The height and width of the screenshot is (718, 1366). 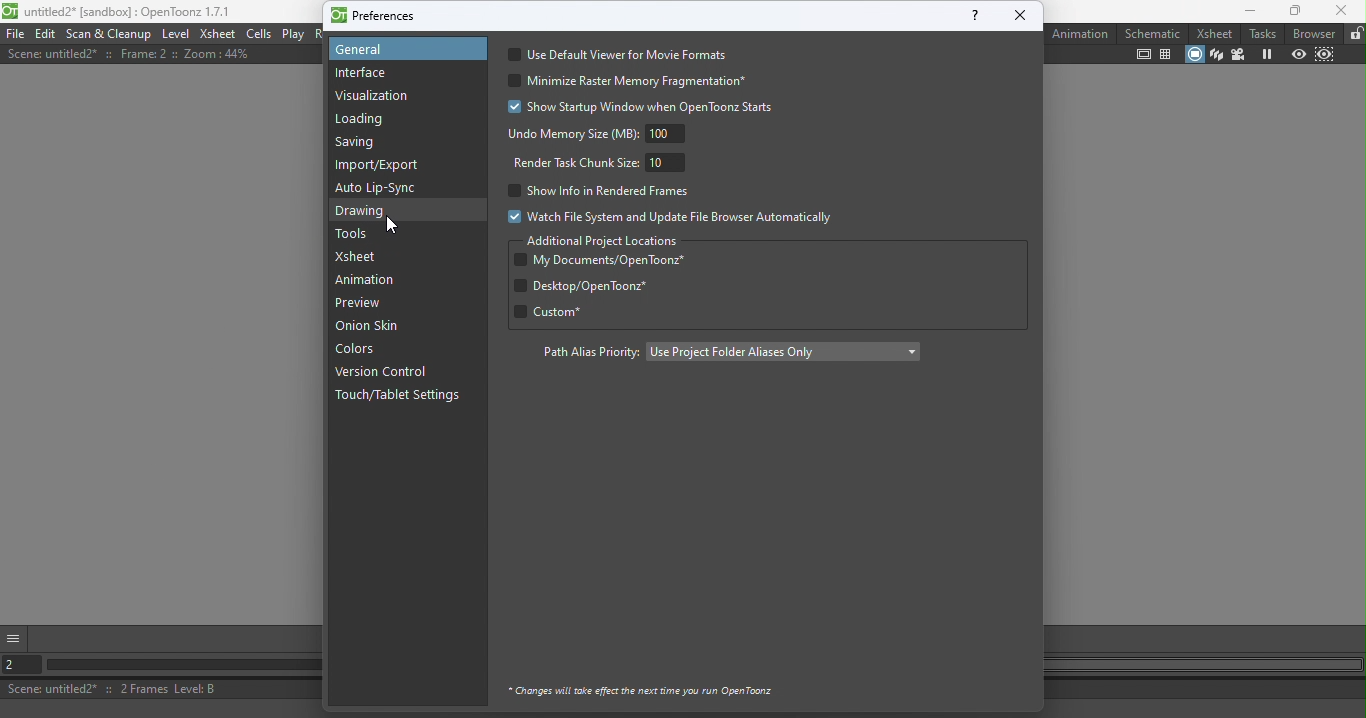 What do you see at coordinates (157, 689) in the screenshot?
I see `Scene: untitled2* :: 2 Frames Level: B` at bounding box center [157, 689].